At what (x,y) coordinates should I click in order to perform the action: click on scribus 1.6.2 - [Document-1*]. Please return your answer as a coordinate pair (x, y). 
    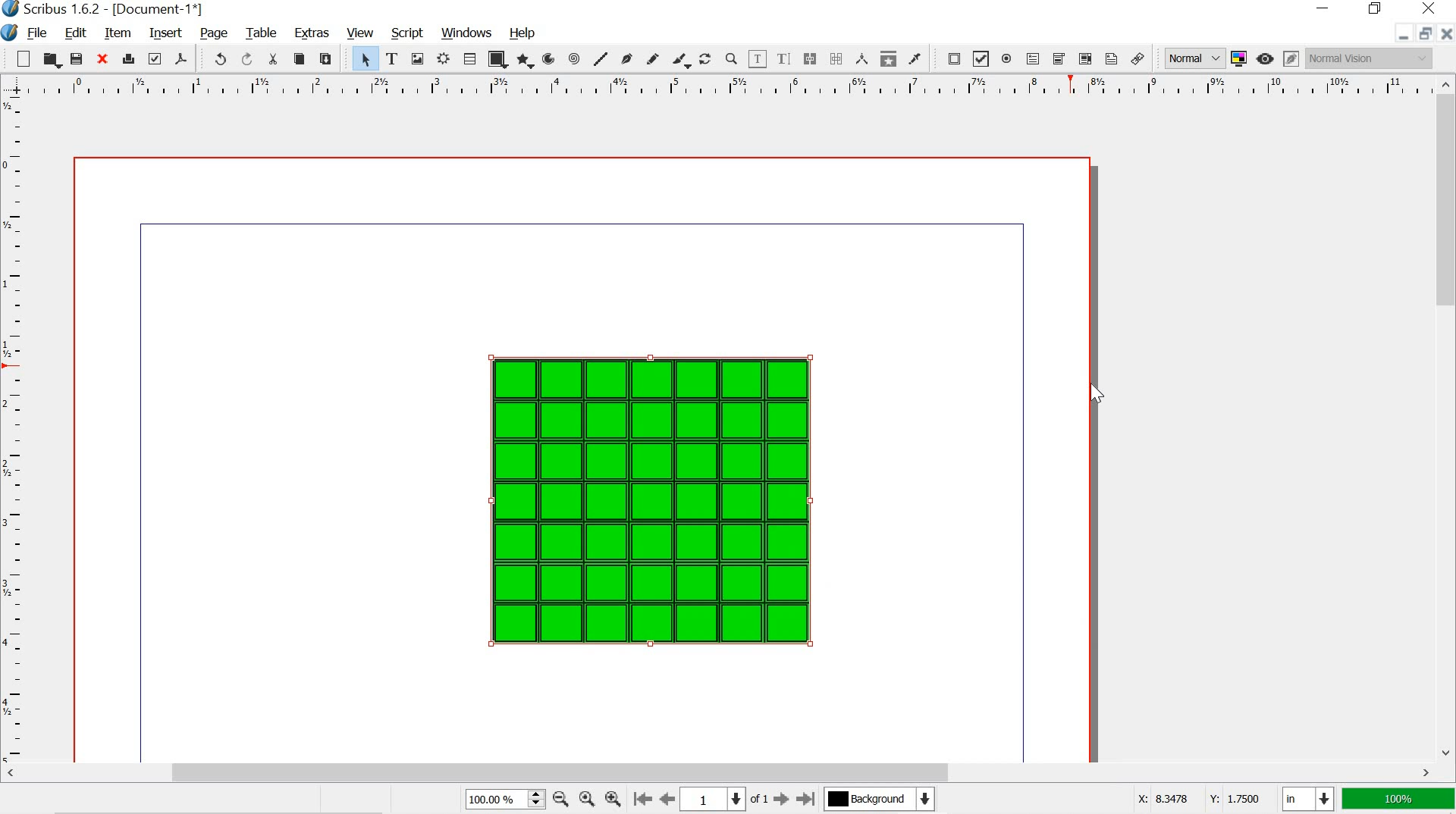
    Looking at the image, I should click on (111, 9).